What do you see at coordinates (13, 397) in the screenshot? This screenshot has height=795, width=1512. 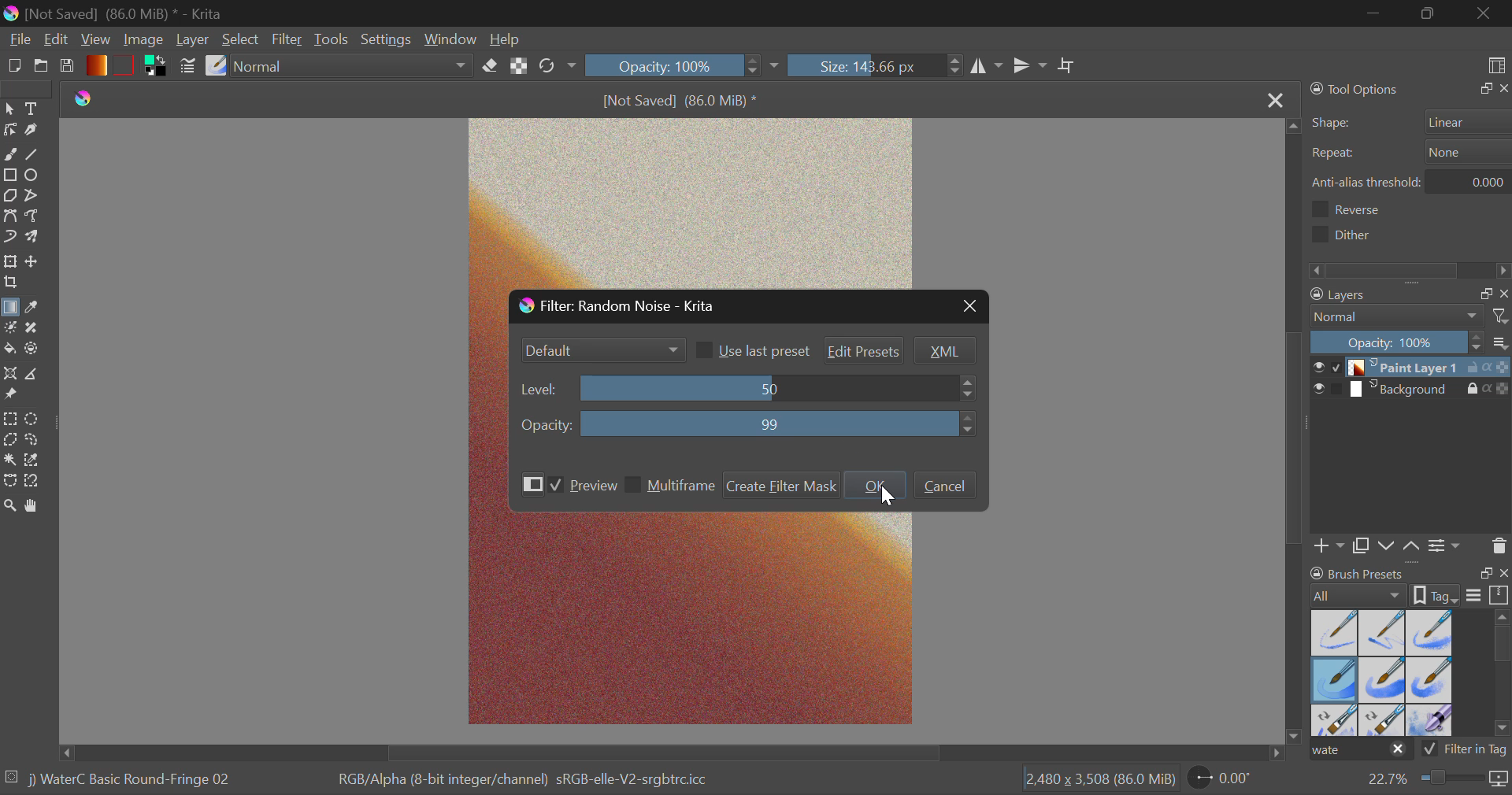 I see `Reference Images` at bounding box center [13, 397].